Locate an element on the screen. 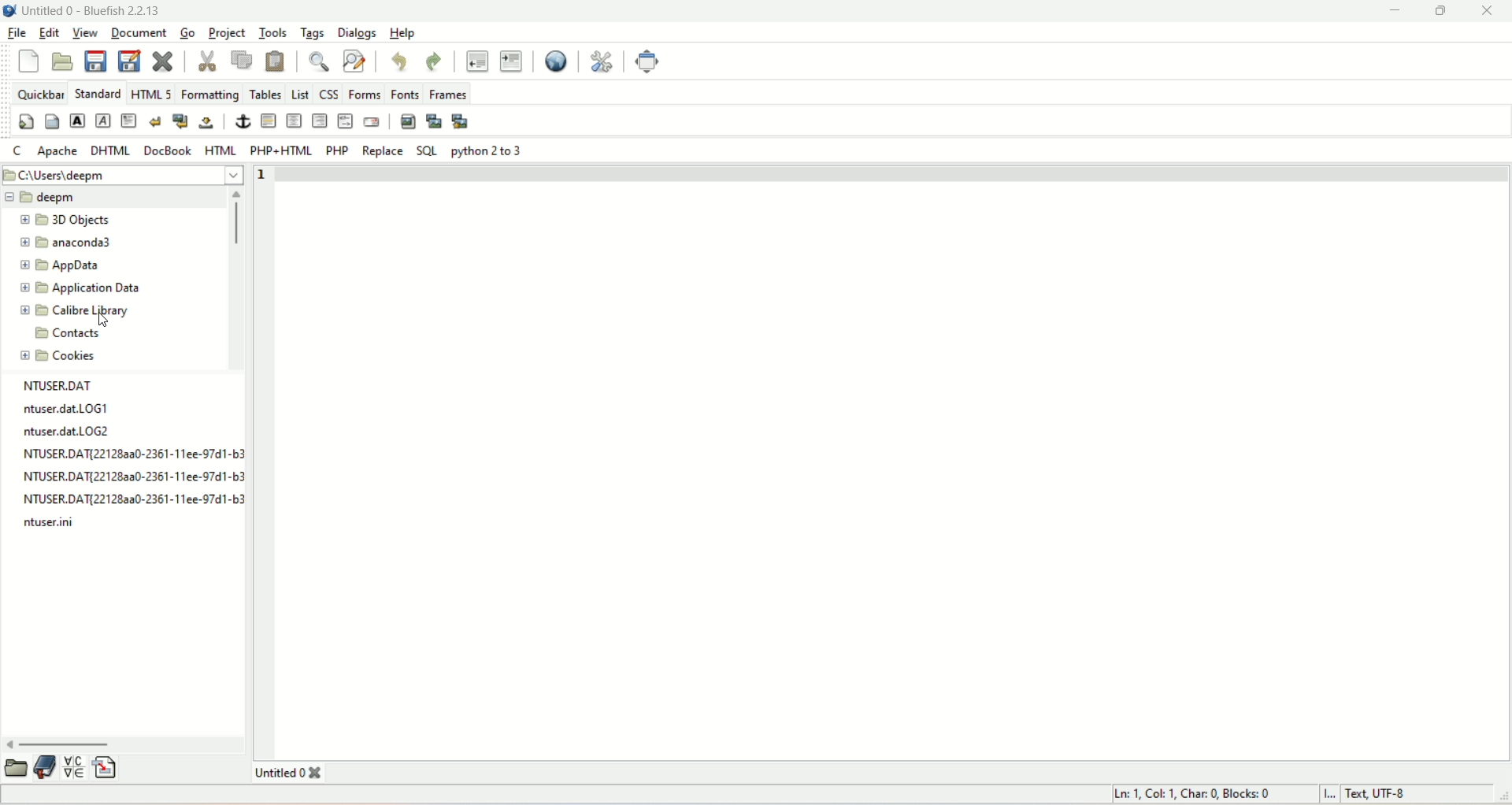 The width and height of the screenshot is (1512, 805). dialogs is located at coordinates (358, 33).